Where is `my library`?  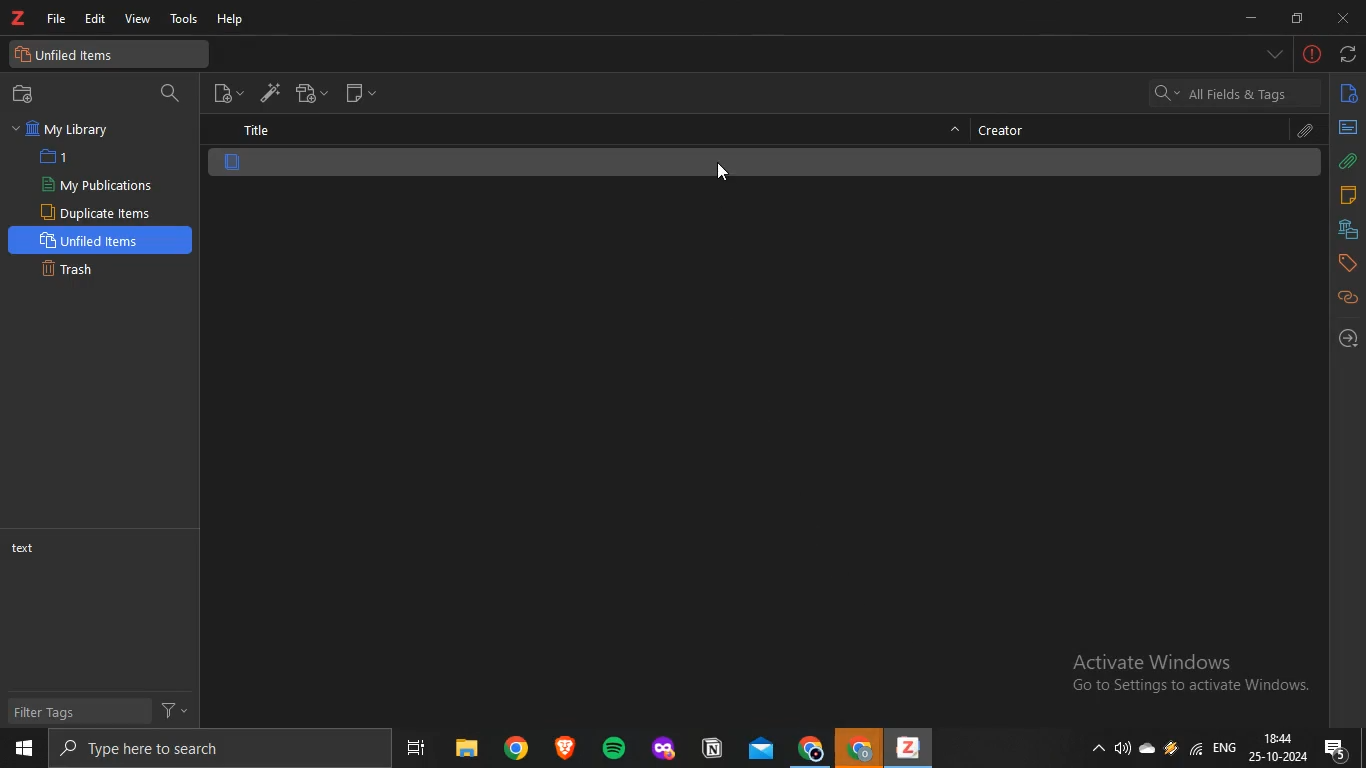 my library is located at coordinates (76, 128).